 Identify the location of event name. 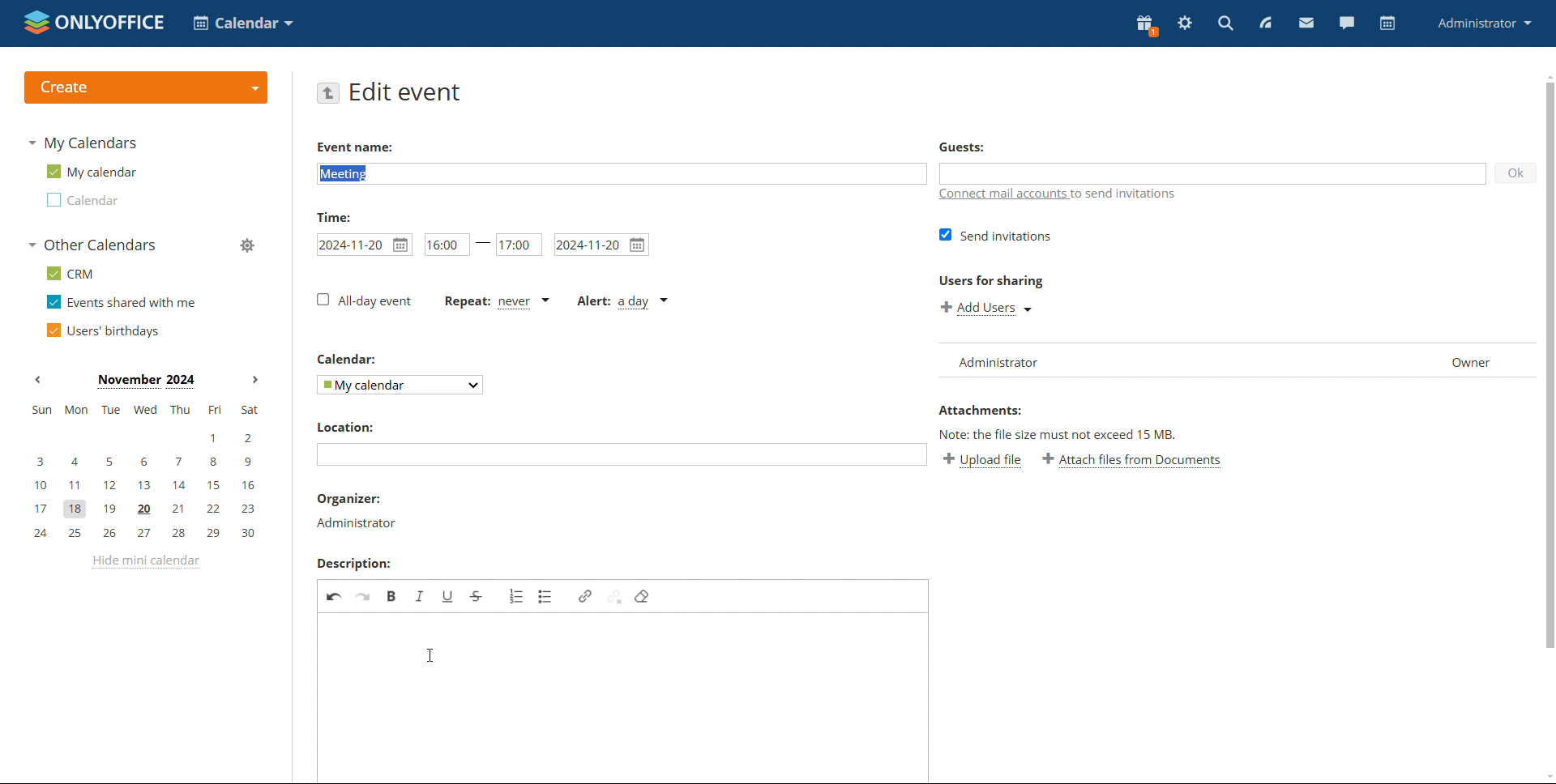
(355, 146).